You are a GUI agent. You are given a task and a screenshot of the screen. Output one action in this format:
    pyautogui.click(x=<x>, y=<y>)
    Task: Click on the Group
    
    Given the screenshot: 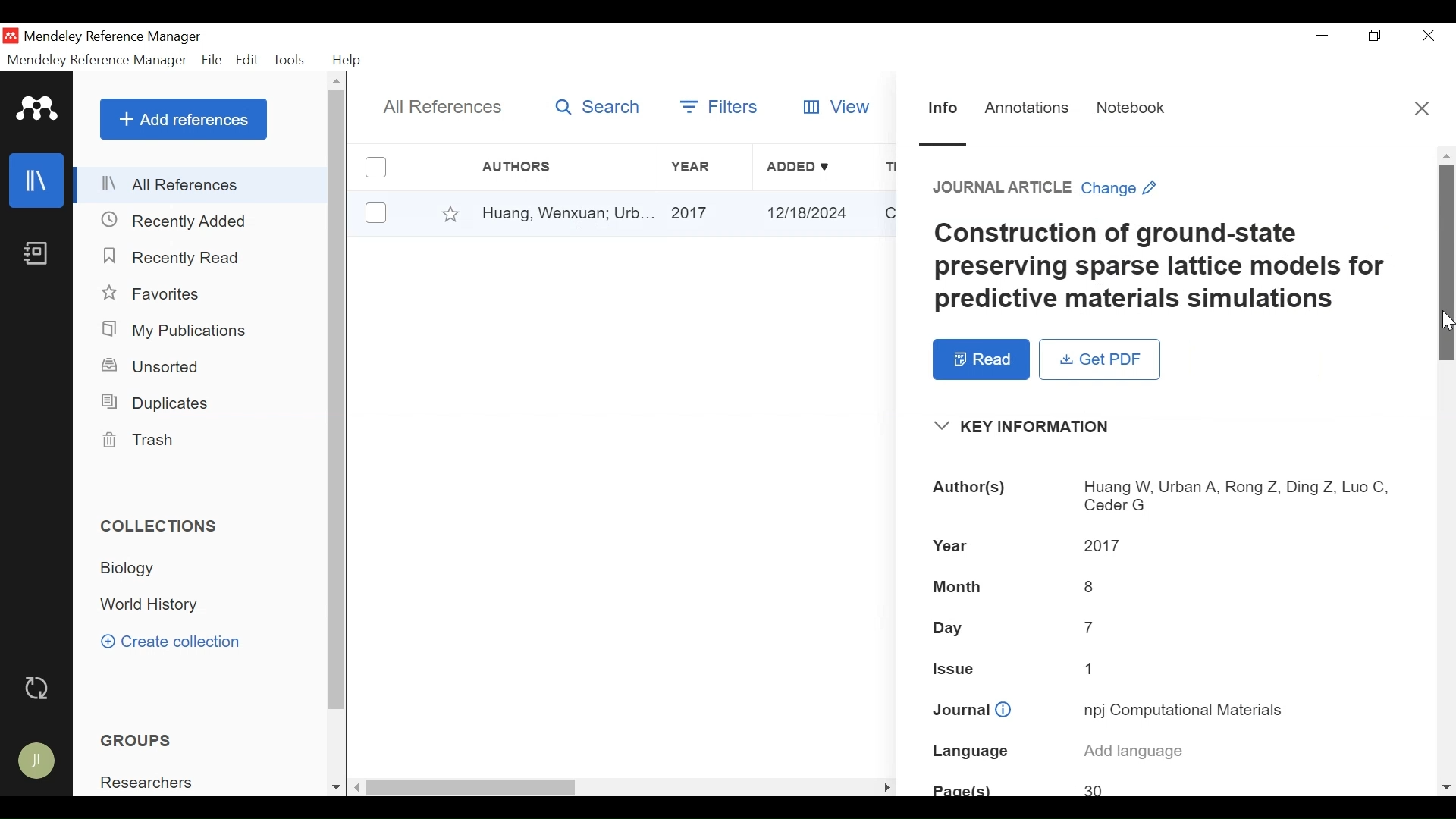 What is the action you would take?
    pyautogui.click(x=155, y=783)
    